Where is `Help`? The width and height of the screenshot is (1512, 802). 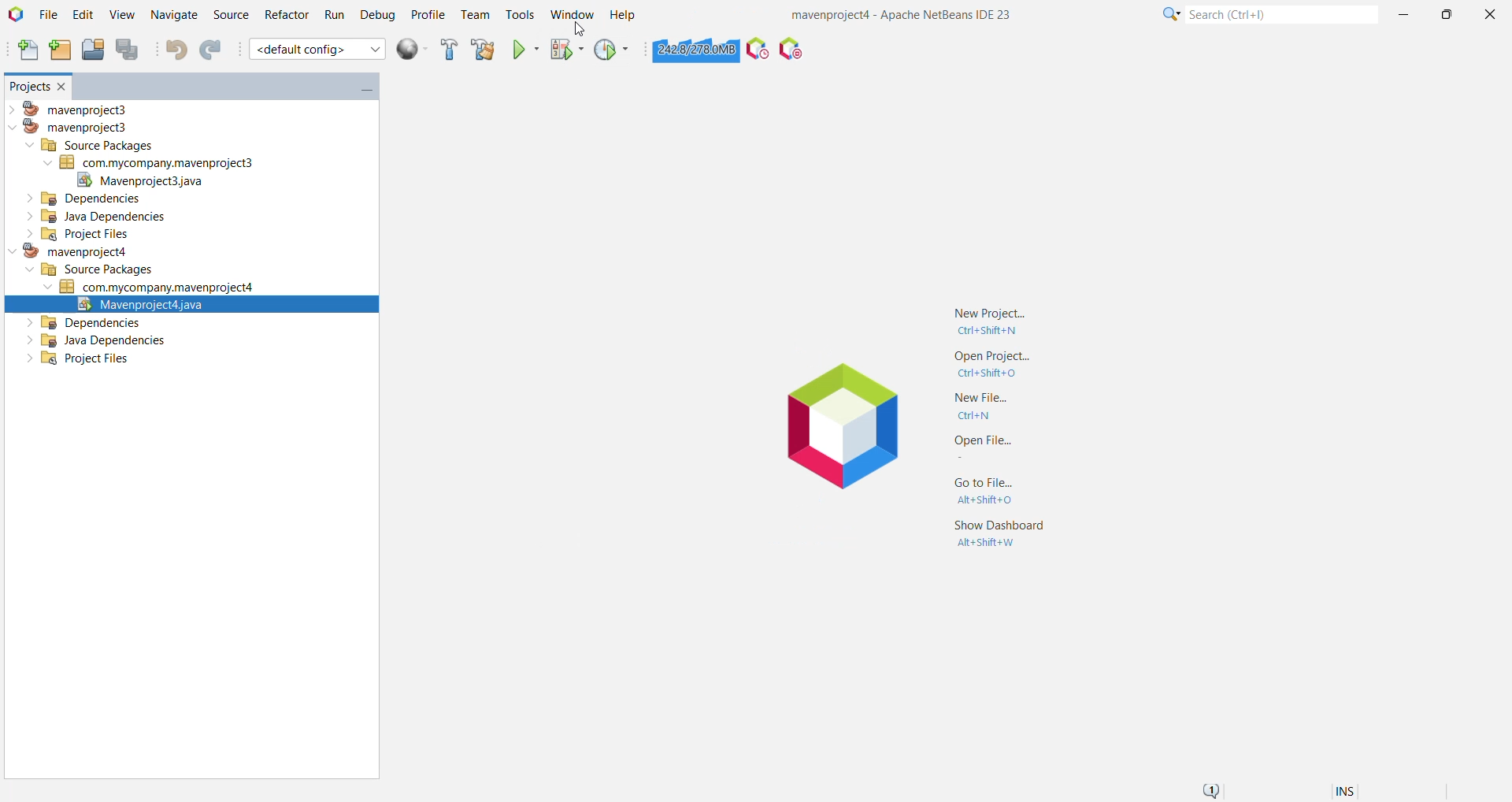 Help is located at coordinates (624, 16).